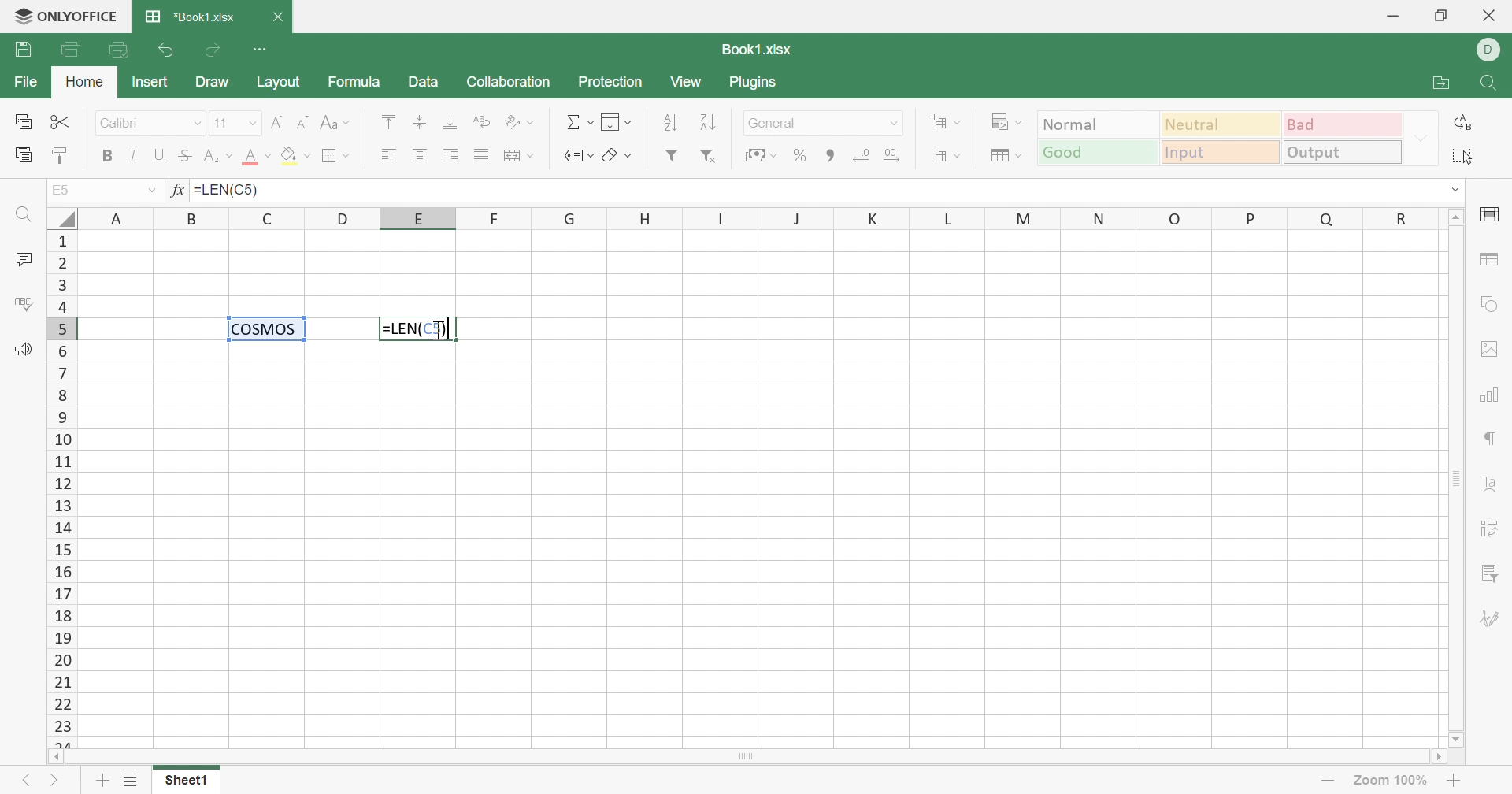  I want to click on Superscript / subscript, so click(220, 157).